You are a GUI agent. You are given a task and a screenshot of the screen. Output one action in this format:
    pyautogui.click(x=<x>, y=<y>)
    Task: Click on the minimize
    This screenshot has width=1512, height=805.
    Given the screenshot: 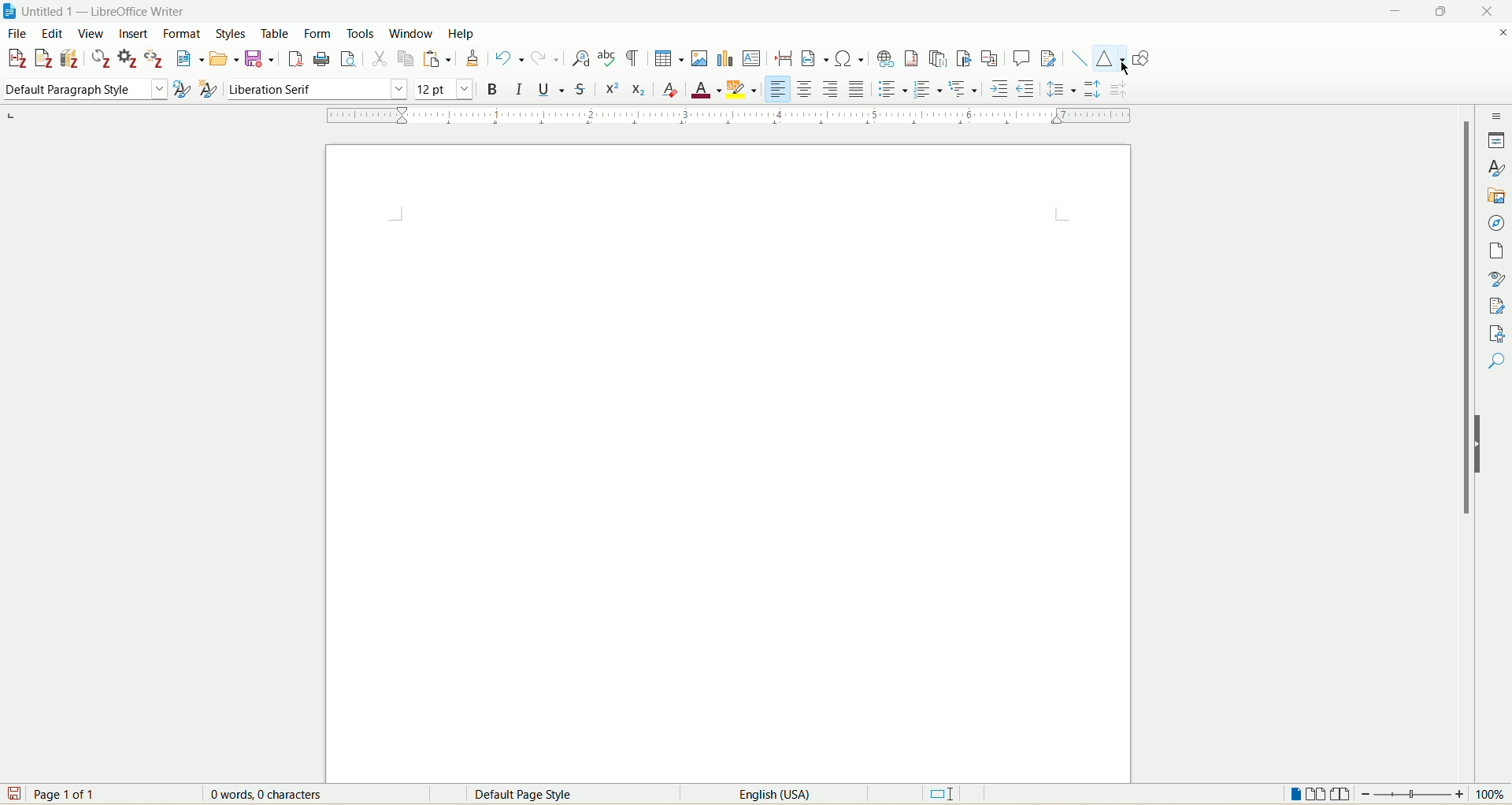 What is the action you would take?
    pyautogui.click(x=1395, y=9)
    